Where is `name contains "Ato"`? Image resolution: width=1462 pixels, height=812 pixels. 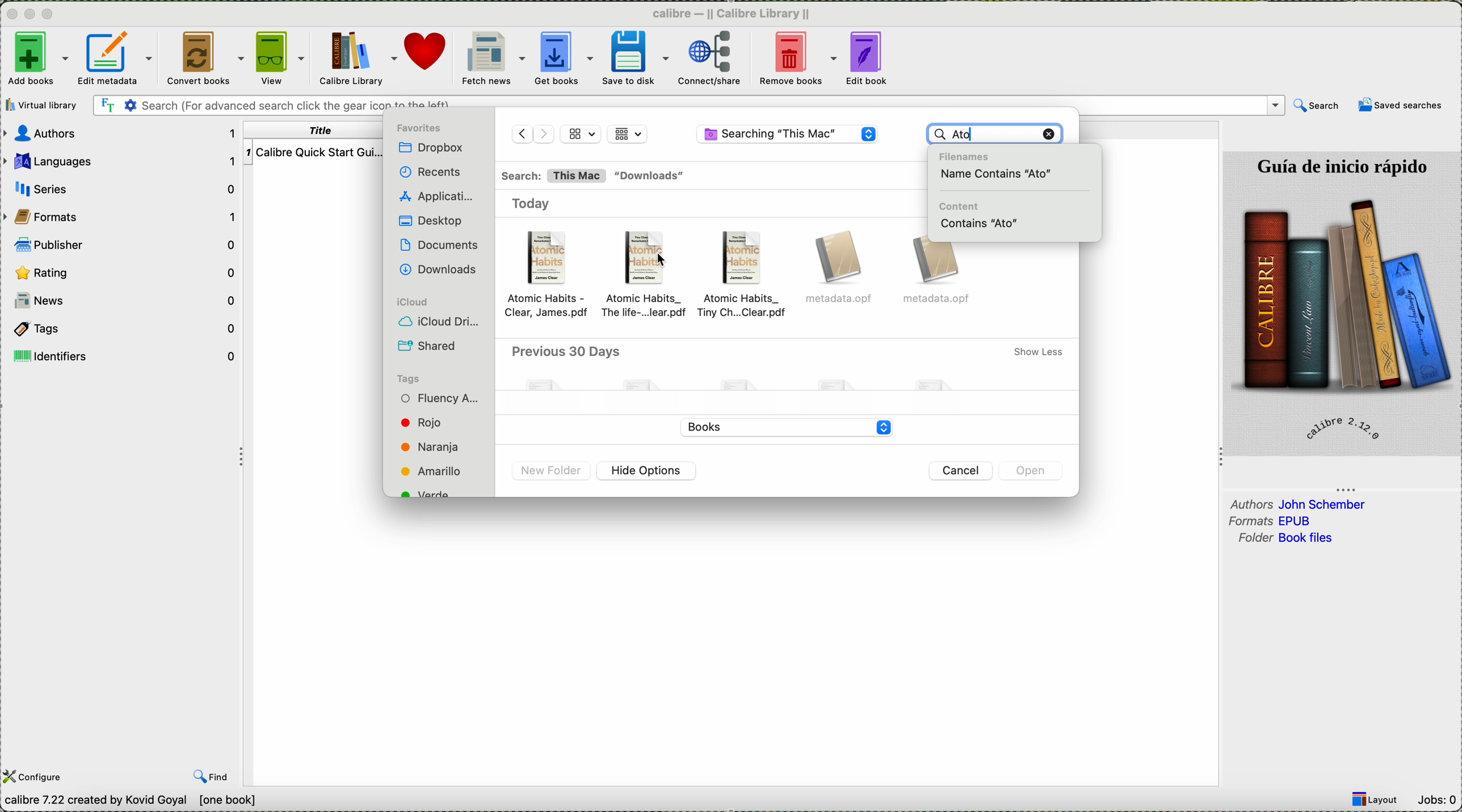 name contains "Ato" is located at coordinates (999, 173).